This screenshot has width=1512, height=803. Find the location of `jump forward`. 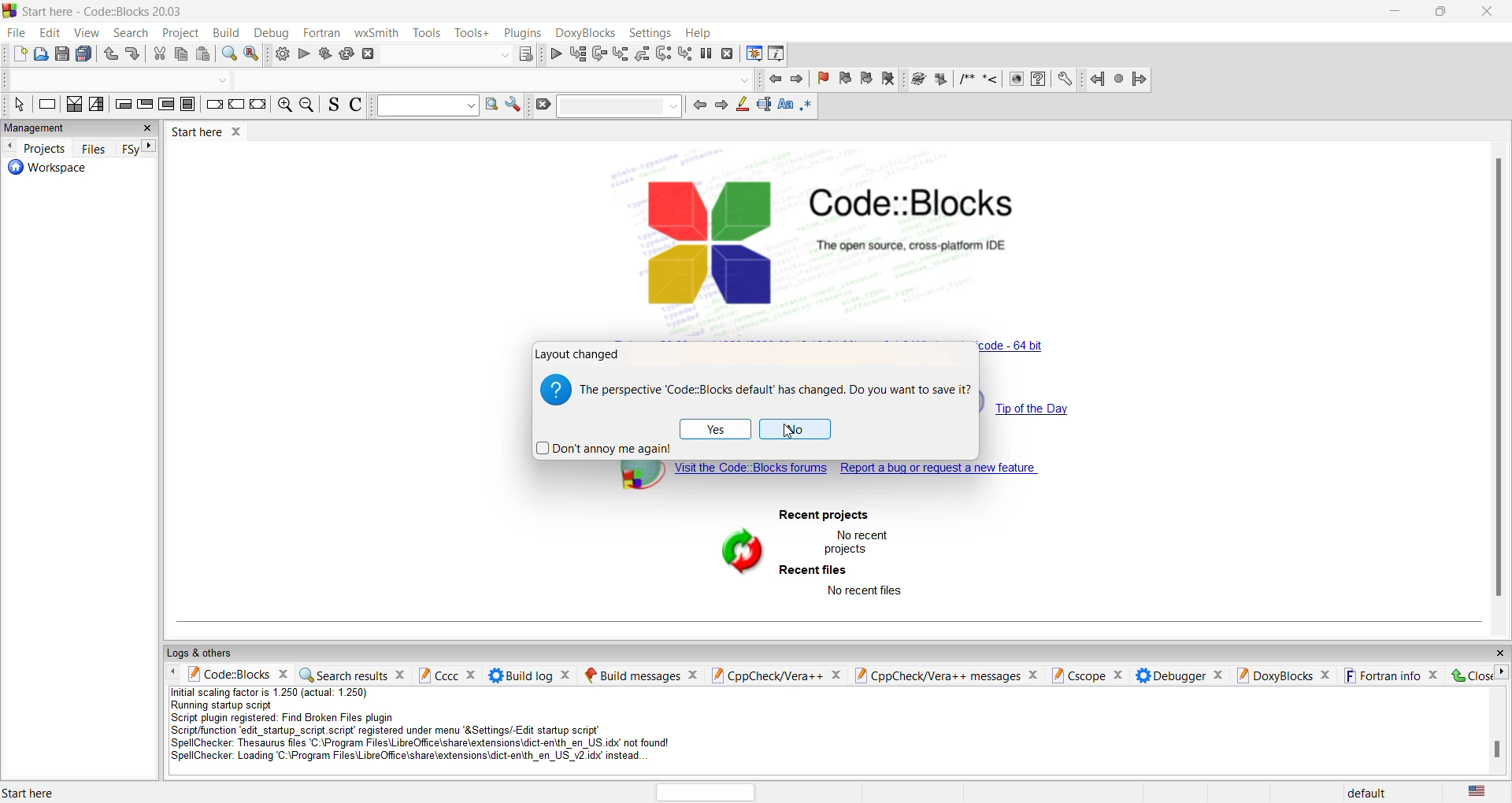

jump forward is located at coordinates (1137, 82).